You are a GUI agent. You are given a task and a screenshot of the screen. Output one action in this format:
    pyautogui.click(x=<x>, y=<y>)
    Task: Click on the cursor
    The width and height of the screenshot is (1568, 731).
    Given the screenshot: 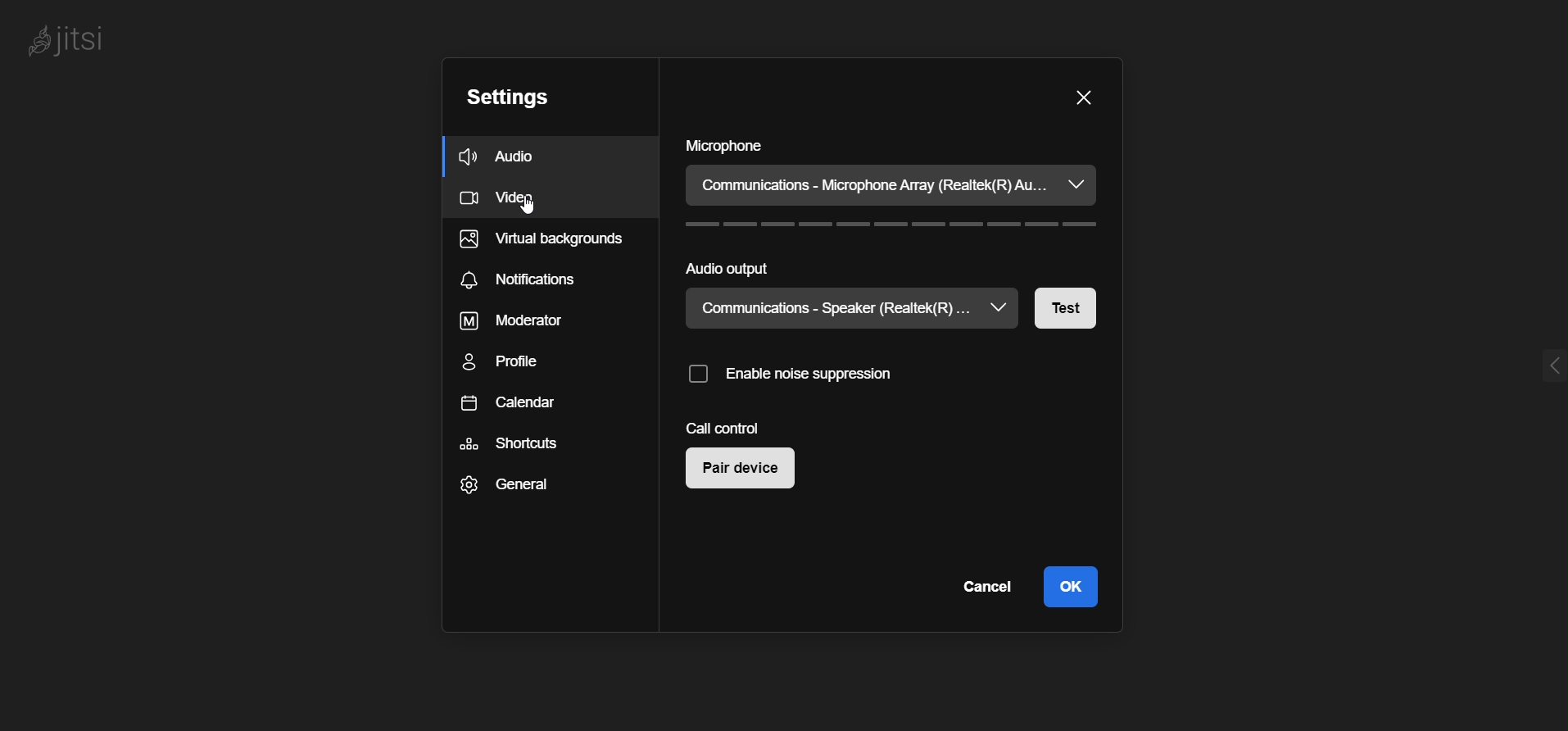 What is the action you would take?
    pyautogui.click(x=532, y=211)
    